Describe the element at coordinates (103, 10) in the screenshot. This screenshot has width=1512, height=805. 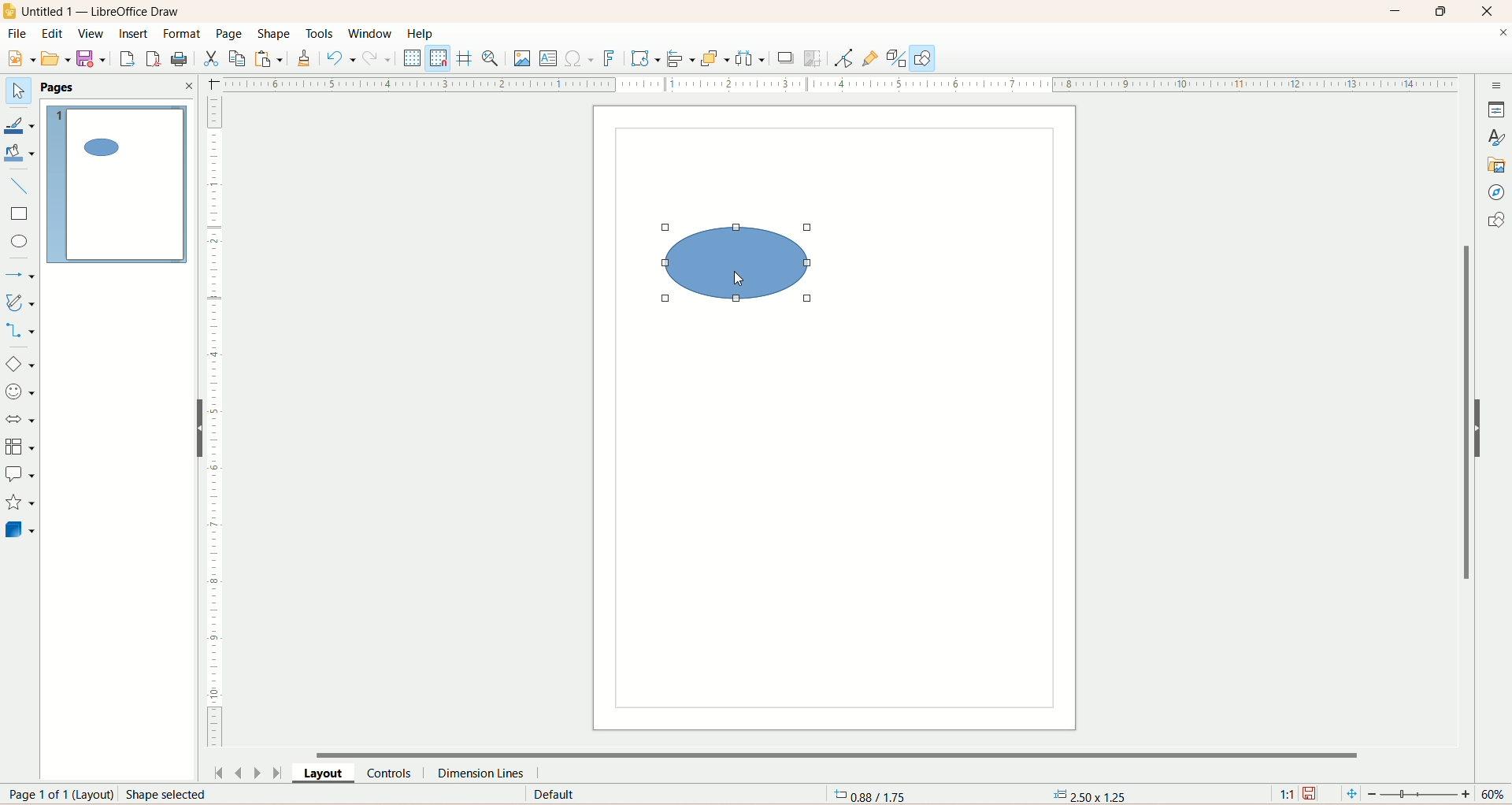
I see `title` at that location.